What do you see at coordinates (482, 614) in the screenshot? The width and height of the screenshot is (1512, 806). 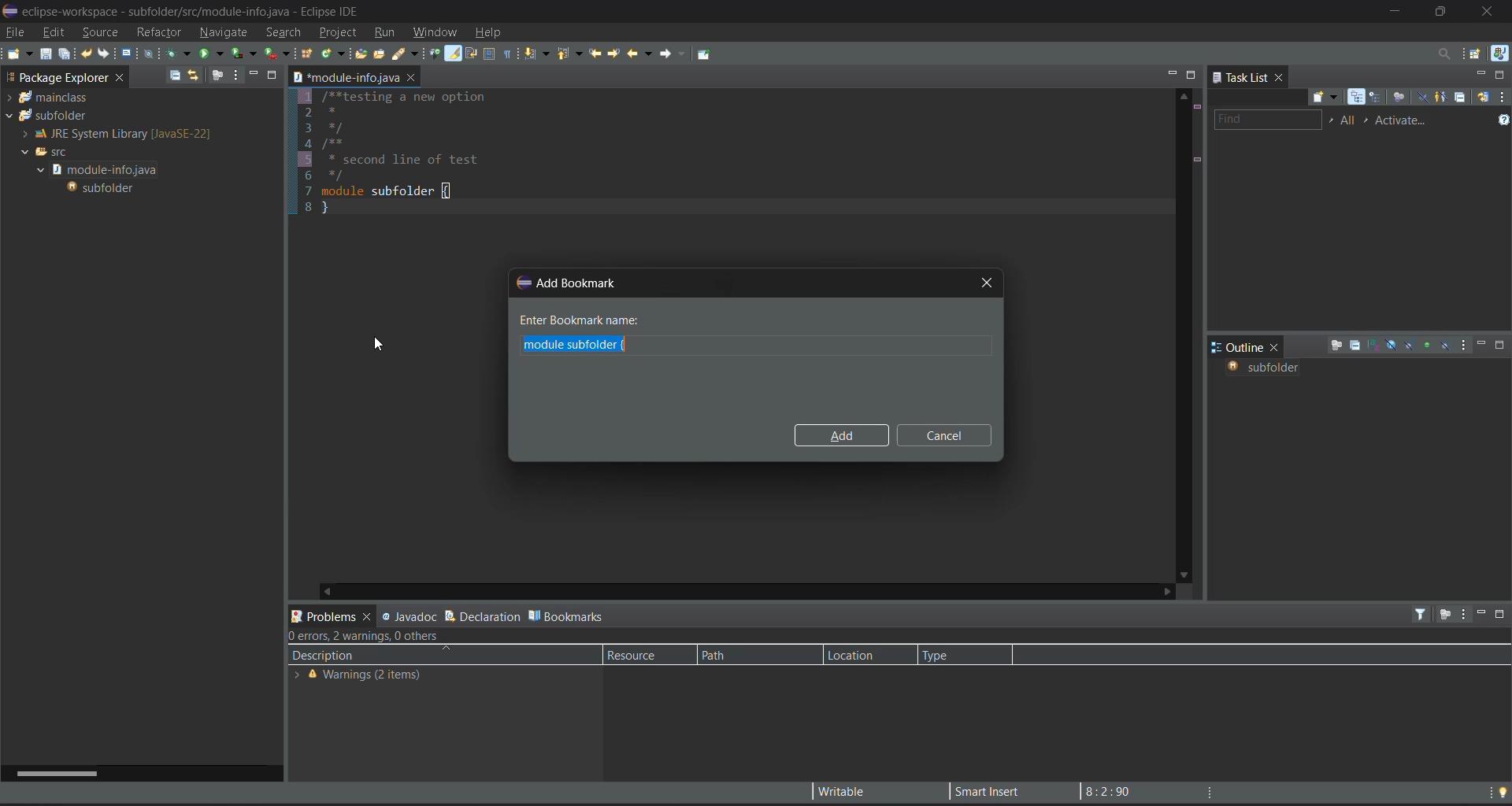 I see `declaration` at bounding box center [482, 614].